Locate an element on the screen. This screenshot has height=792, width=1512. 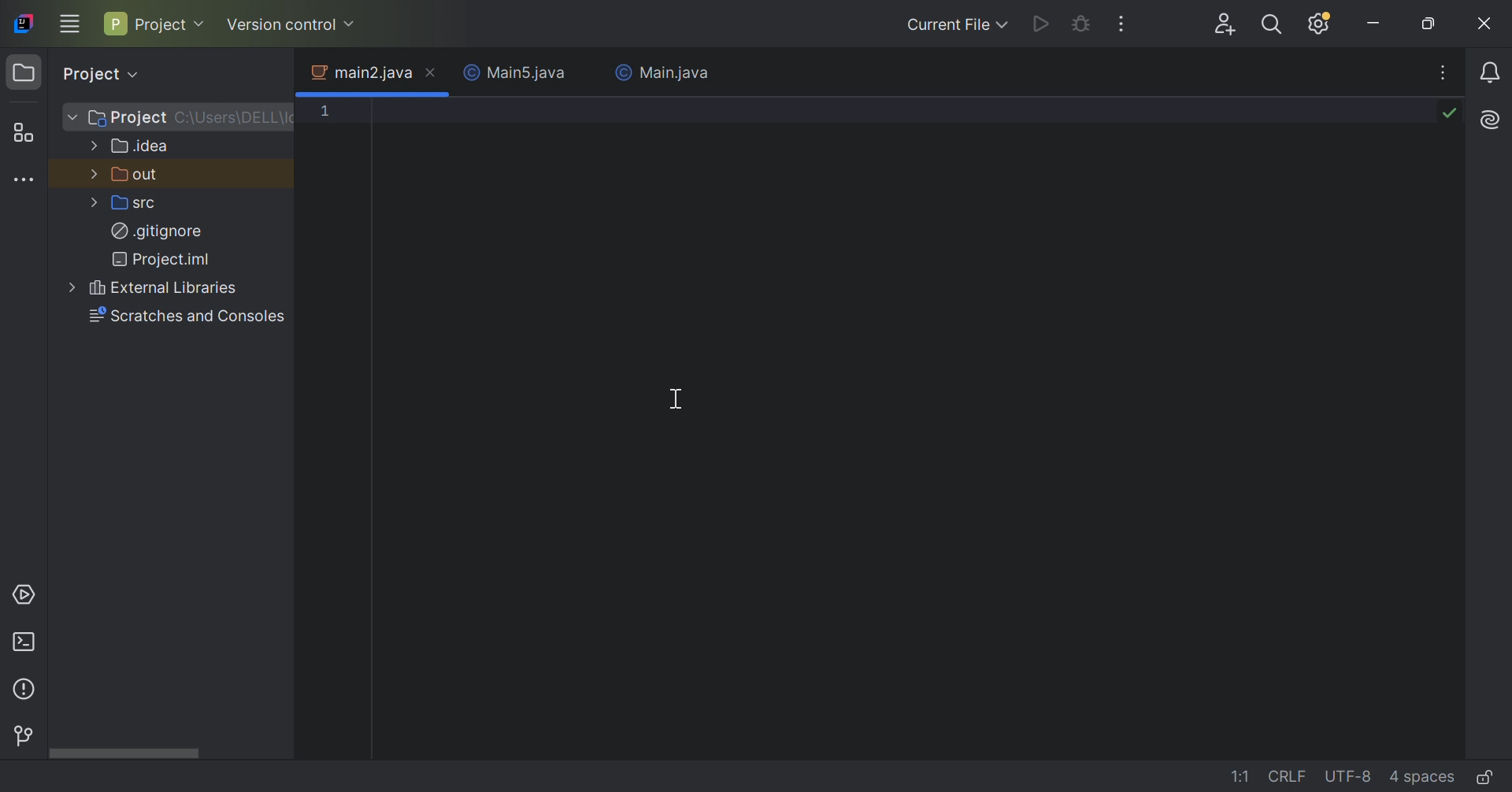
4 spaces is located at coordinates (1425, 776).